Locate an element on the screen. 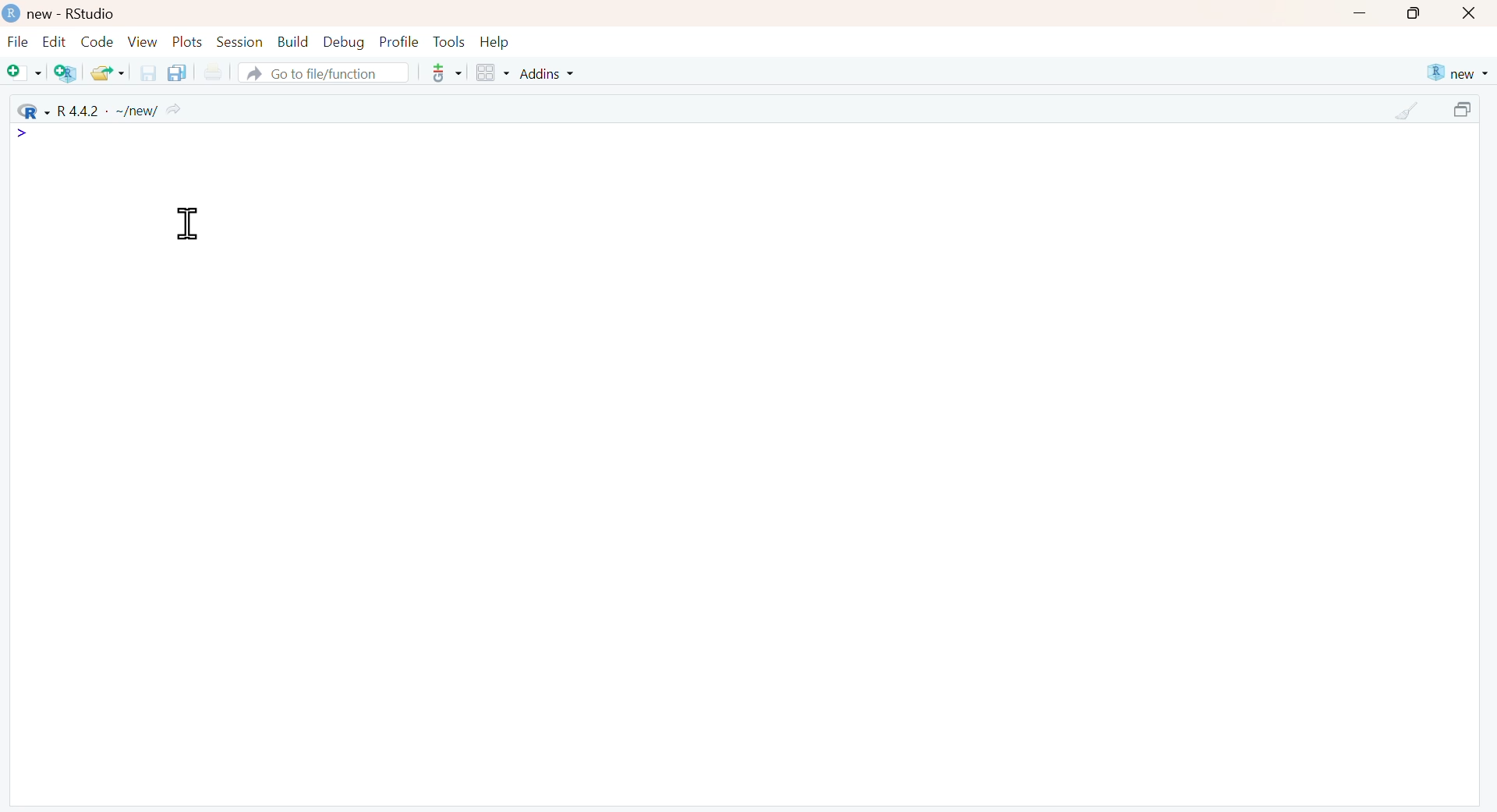 Image resolution: width=1497 pixels, height=812 pixels. Create a project is located at coordinates (65, 73).